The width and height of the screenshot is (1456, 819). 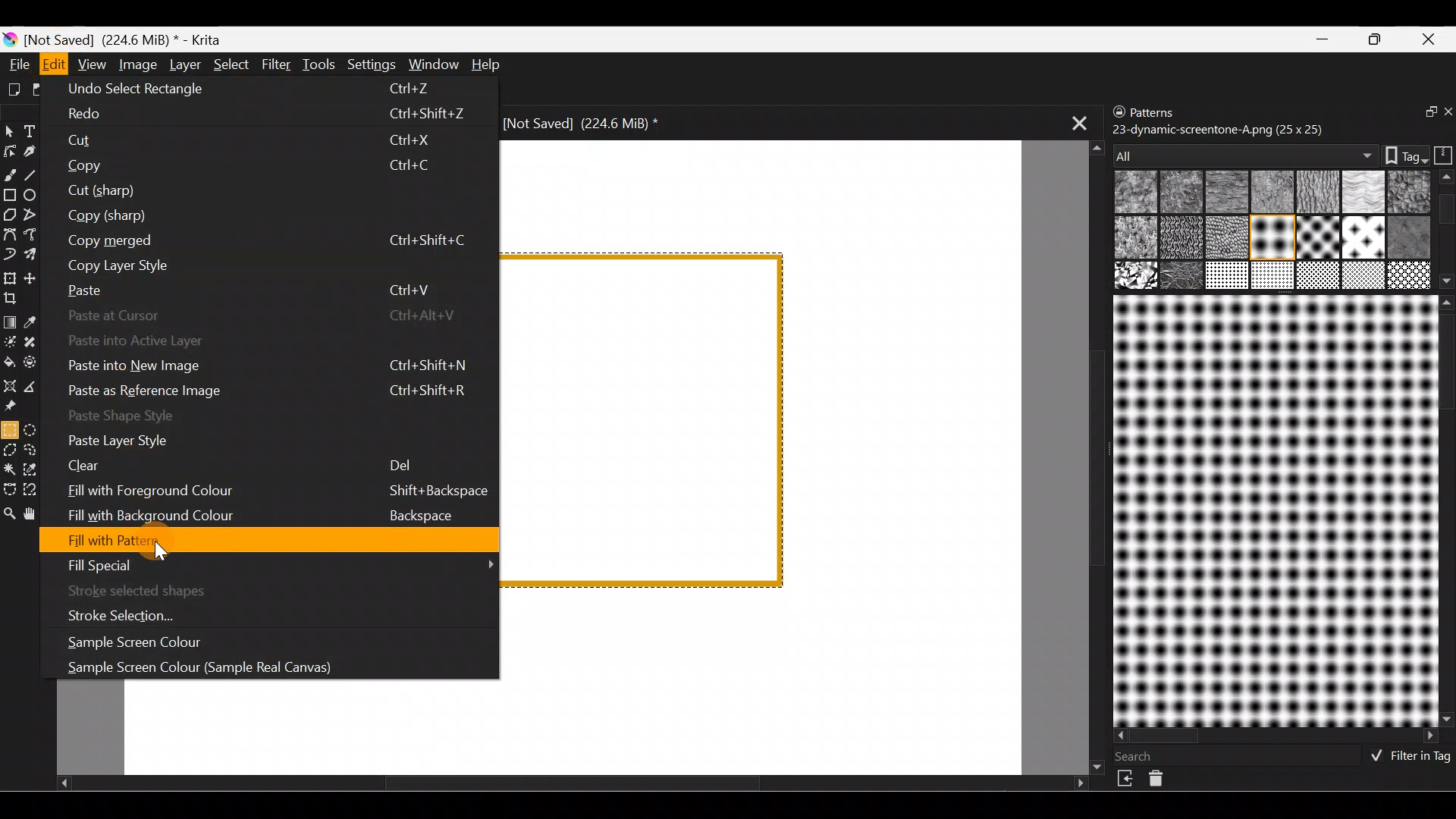 I want to click on Bezier curve selection tool, so click(x=11, y=489).